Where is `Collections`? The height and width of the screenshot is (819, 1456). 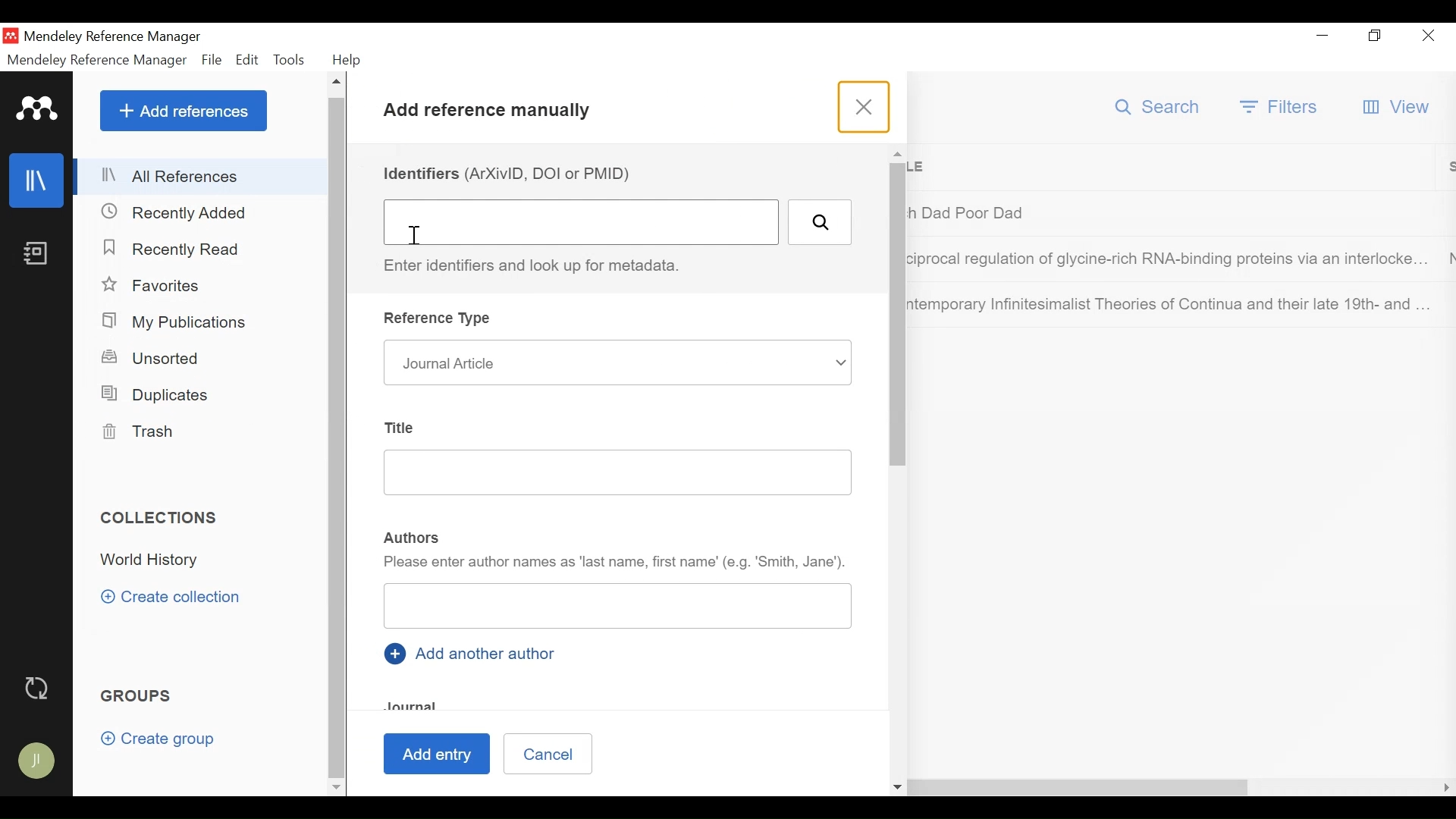 Collections is located at coordinates (161, 518).